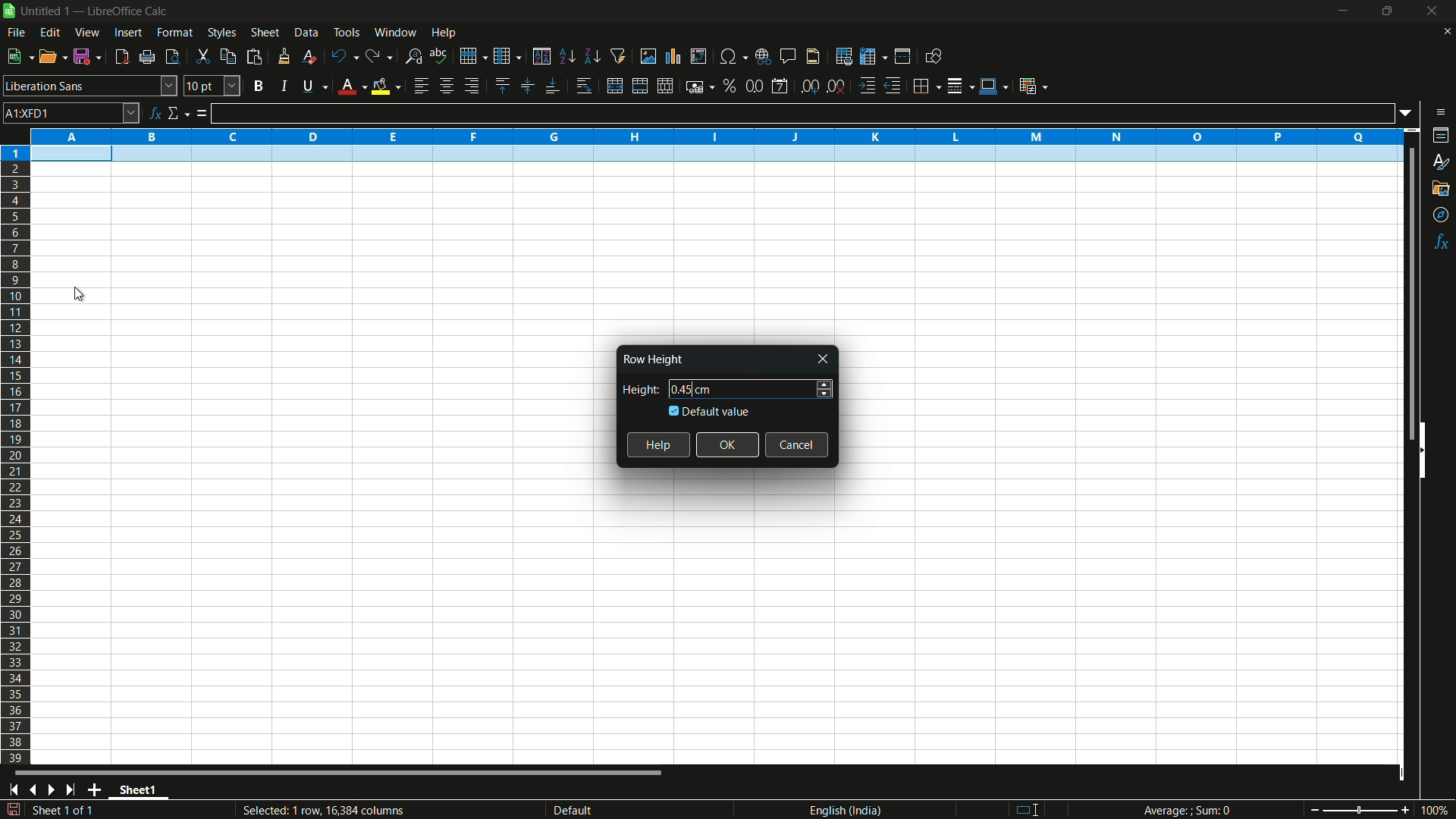 This screenshot has height=819, width=1456. What do you see at coordinates (254, 57) in the screenshot?
I see `paste` at bounding box center [254, 57].